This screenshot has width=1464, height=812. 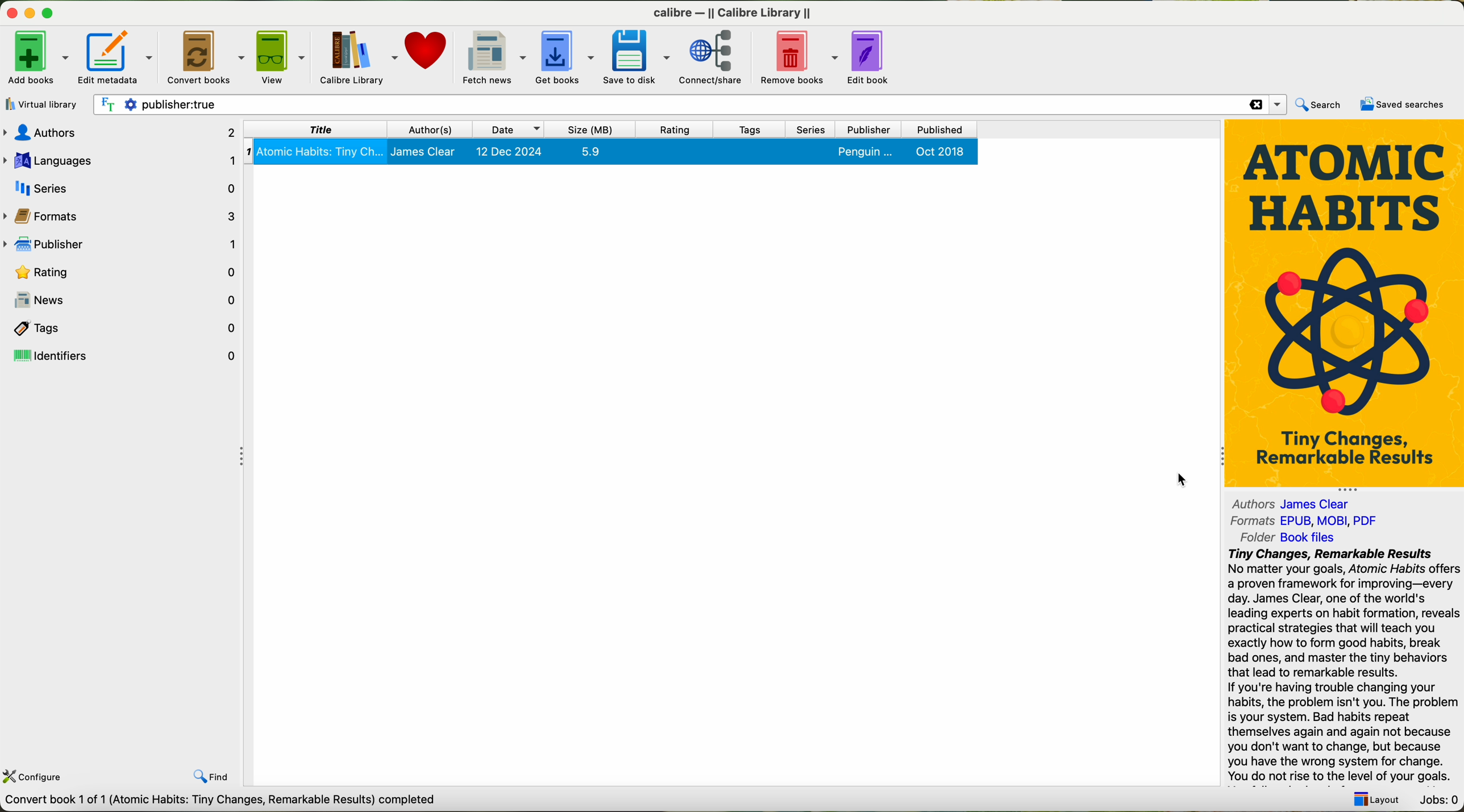 I want to click on size, so click(x=592, y=129).